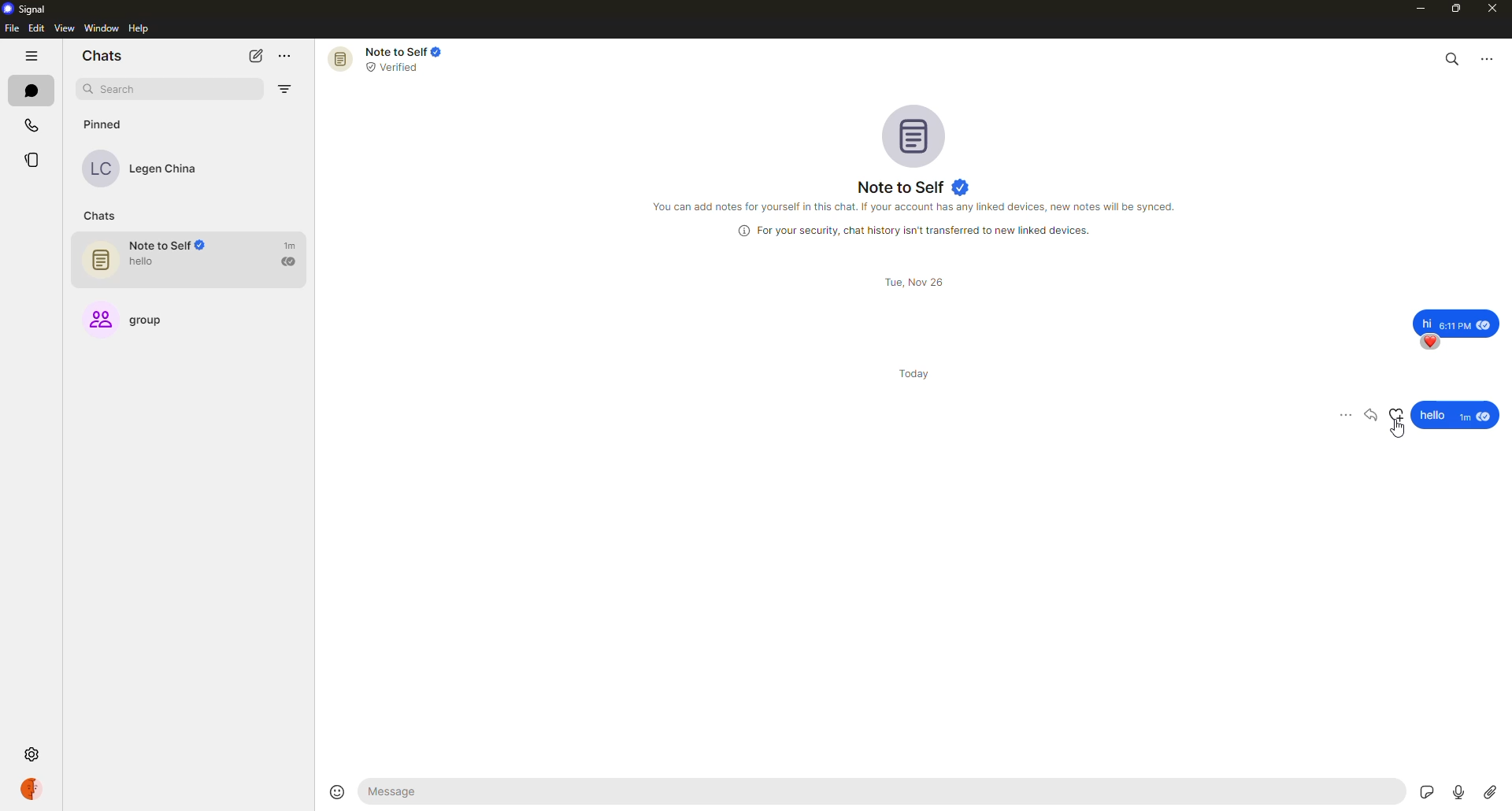 Image resolution: width=1512 pixels, height=811 pixels. I want to click on signal, so click(28, 9).